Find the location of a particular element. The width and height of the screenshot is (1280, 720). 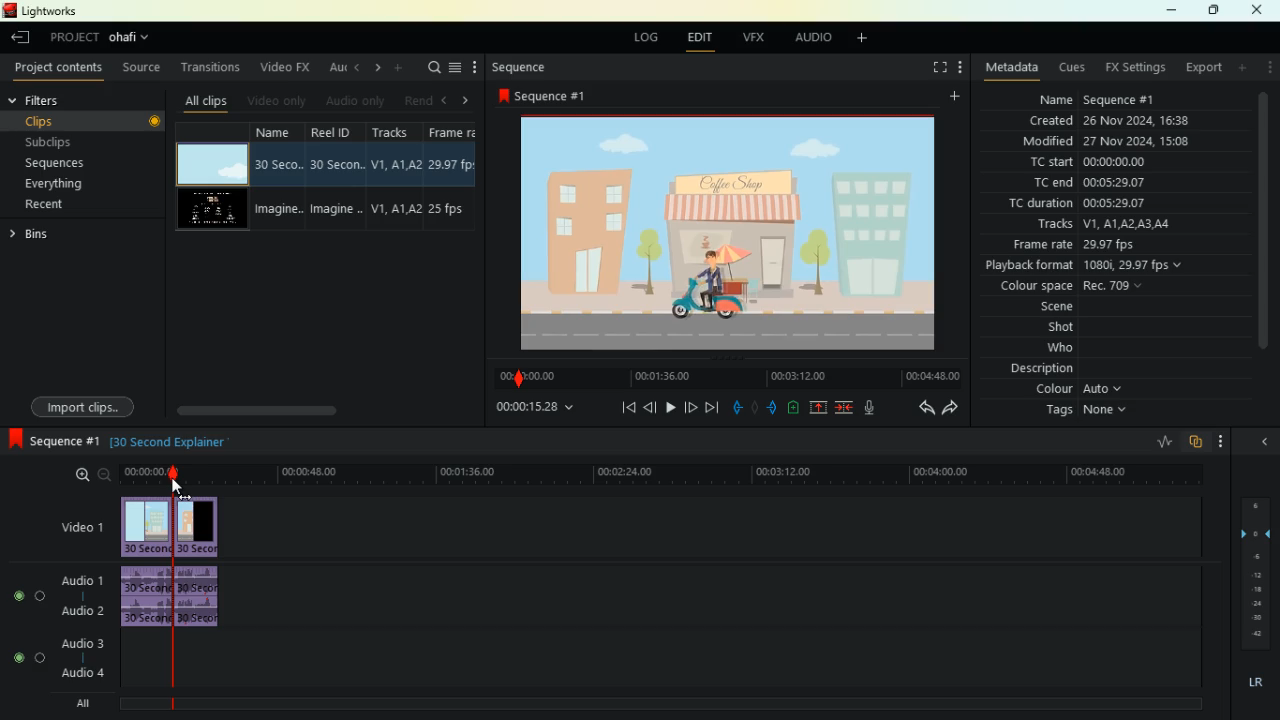

forward is located at coordinates (954, 411).